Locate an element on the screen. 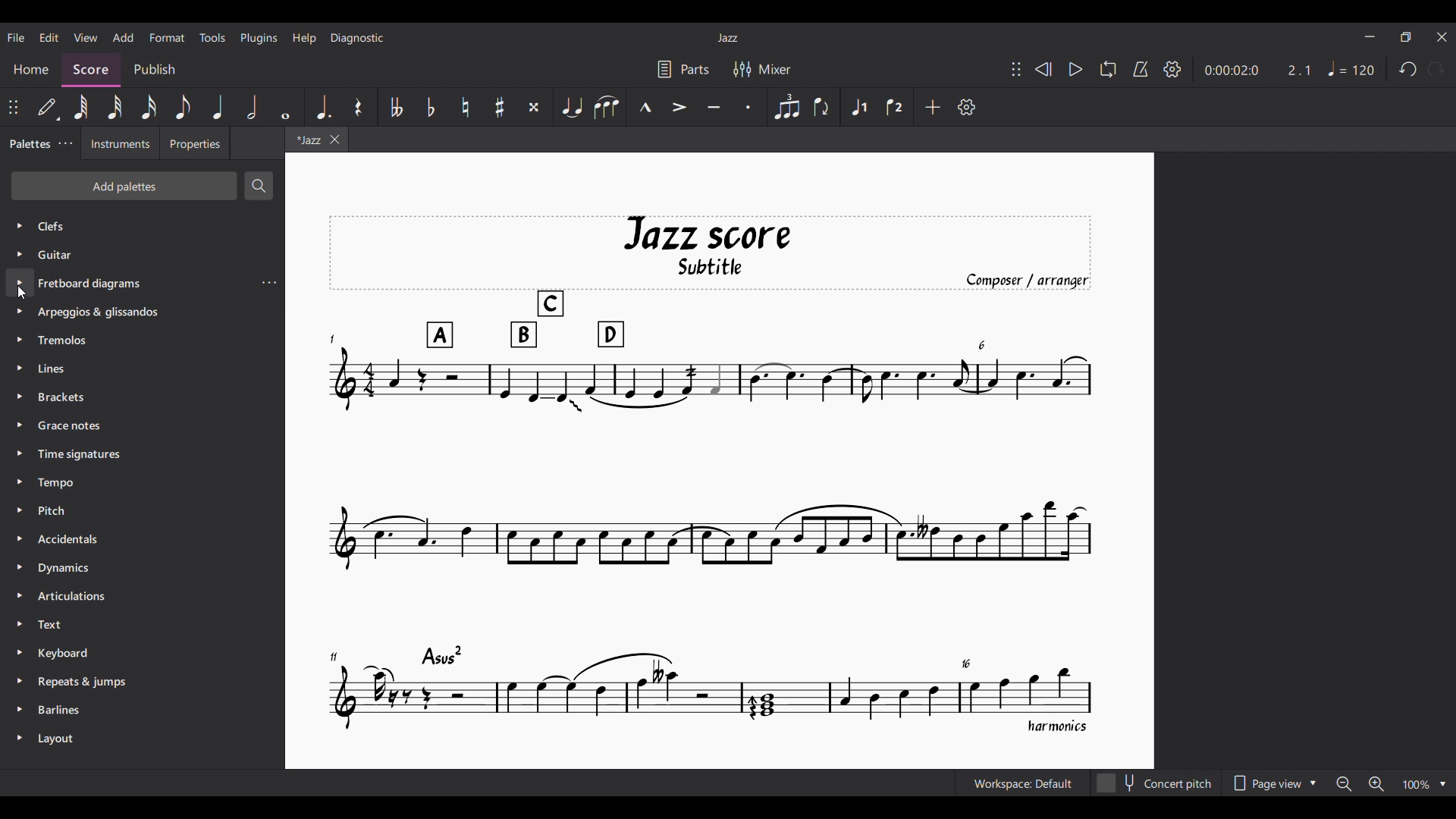 The height and width of the screenshot is (819, 1456). Whole note is located at coordinates (288, 108).